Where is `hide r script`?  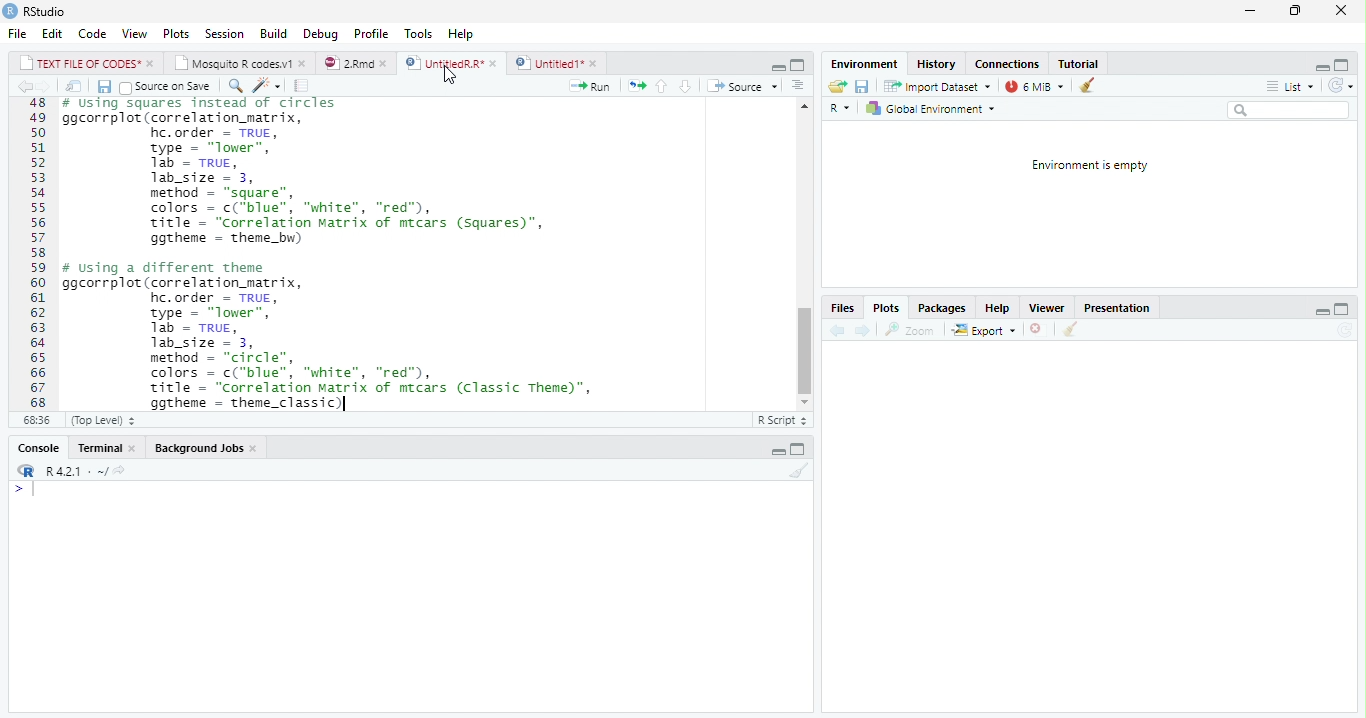 hide r script is located at coordinates (1322, 311).